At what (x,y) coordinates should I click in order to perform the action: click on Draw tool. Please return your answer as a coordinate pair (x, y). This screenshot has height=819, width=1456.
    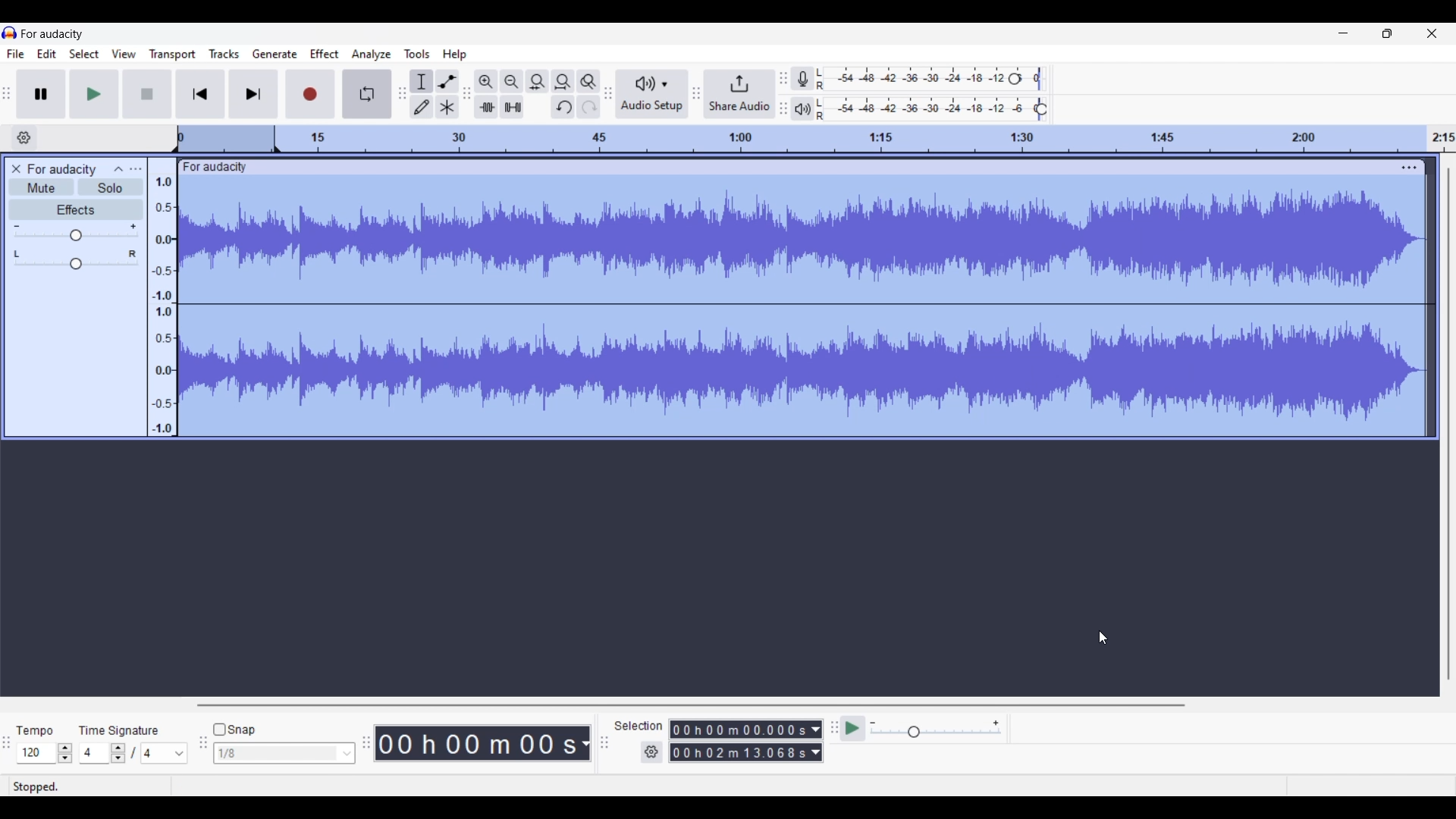
    Looking at the image, I should click on (422, 107).